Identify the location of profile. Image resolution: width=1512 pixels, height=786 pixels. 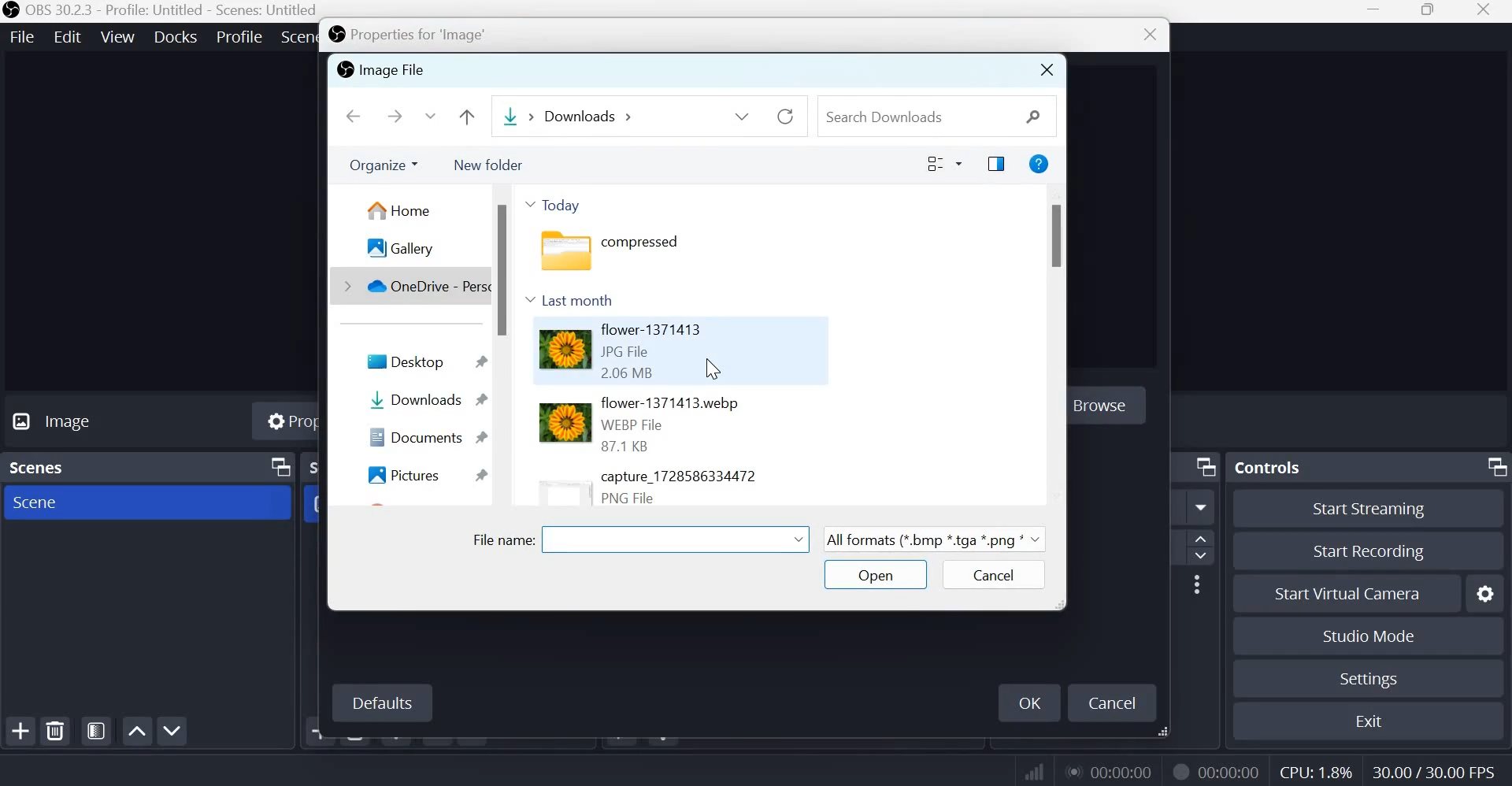
(241, 35).